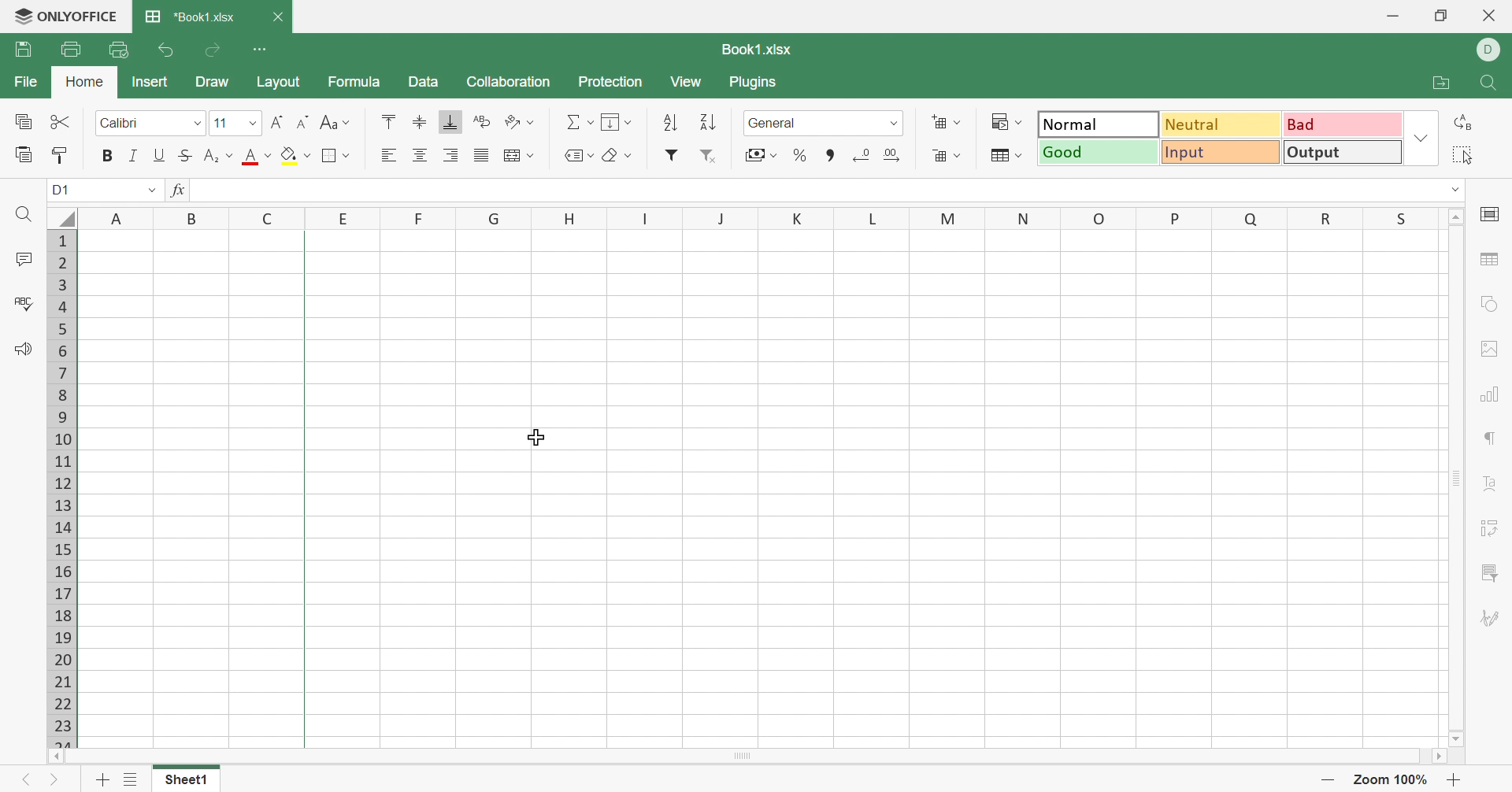  What do you see at coordinates (307, 155) in the screenshot?
I see `Drop Down` at bounding box center [307, 155].